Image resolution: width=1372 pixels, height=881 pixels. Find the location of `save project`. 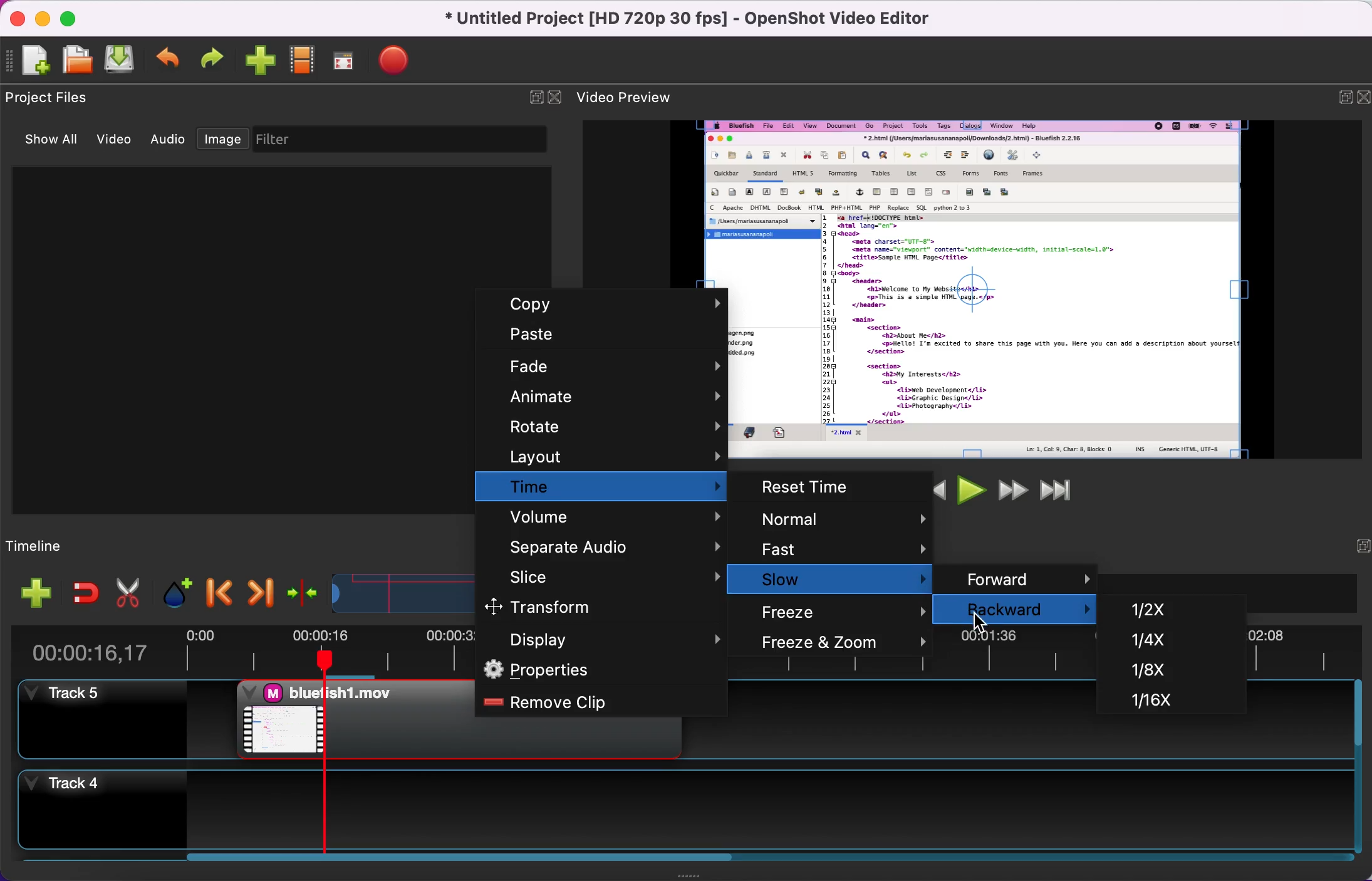

save project is located at coordinates (123, 59).